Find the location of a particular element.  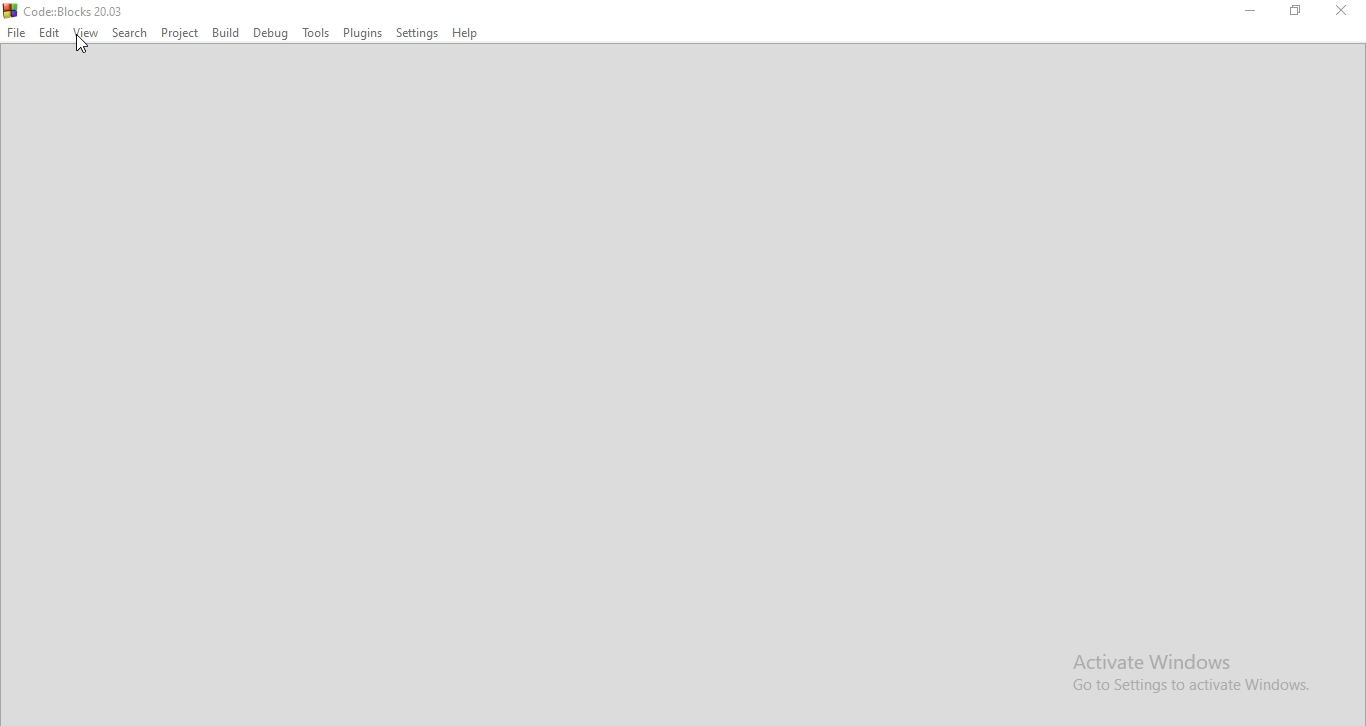

Tools  is located at coordinates (315, 32).